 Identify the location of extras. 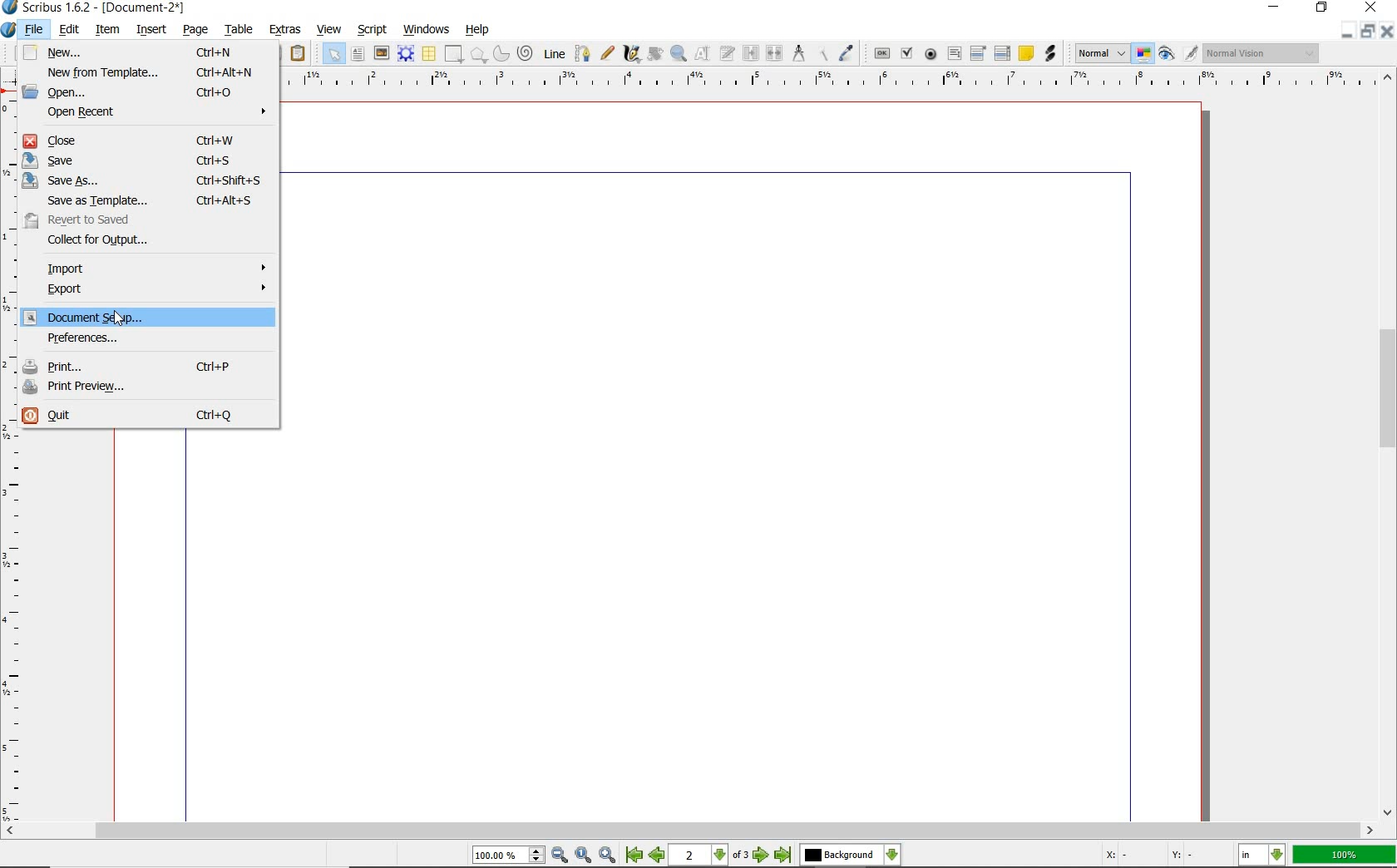
(285, 30).